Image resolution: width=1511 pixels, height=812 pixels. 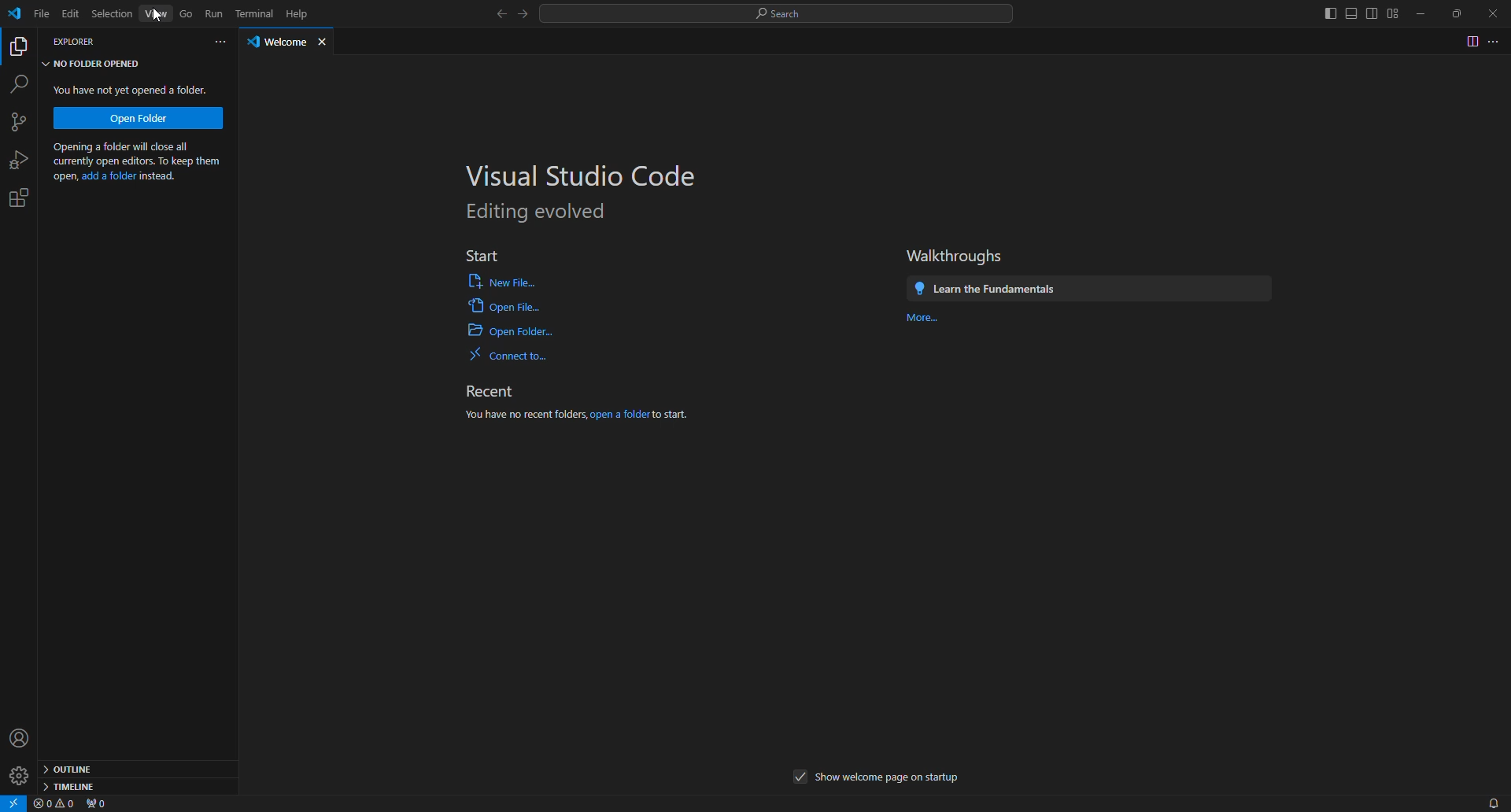 What do you see at coordinates (143, 118) in the screenshot?
I see `Open Folder` at bounding box center [143, 118].